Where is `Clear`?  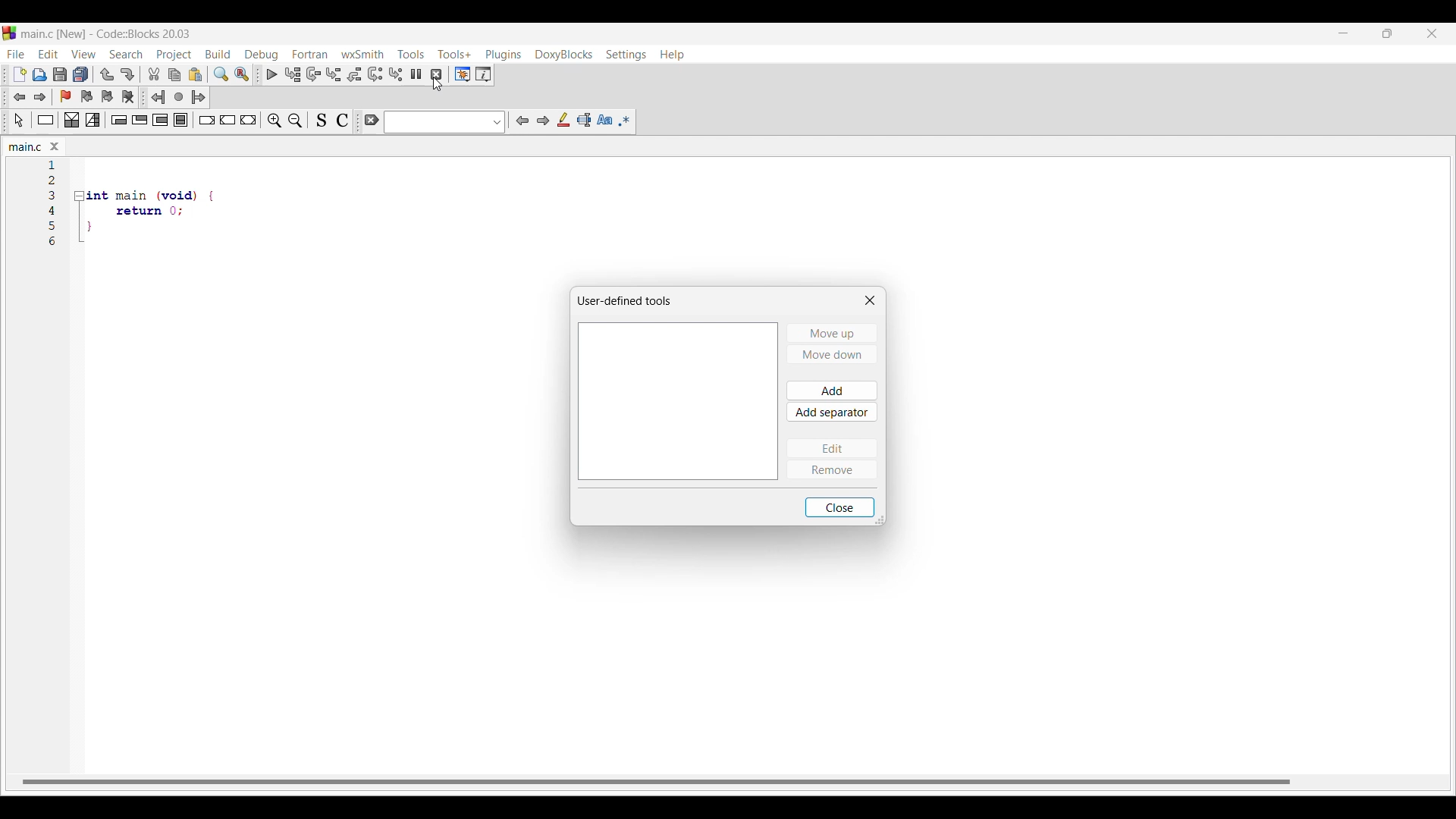
Clear is located at coordinates (372, 120).